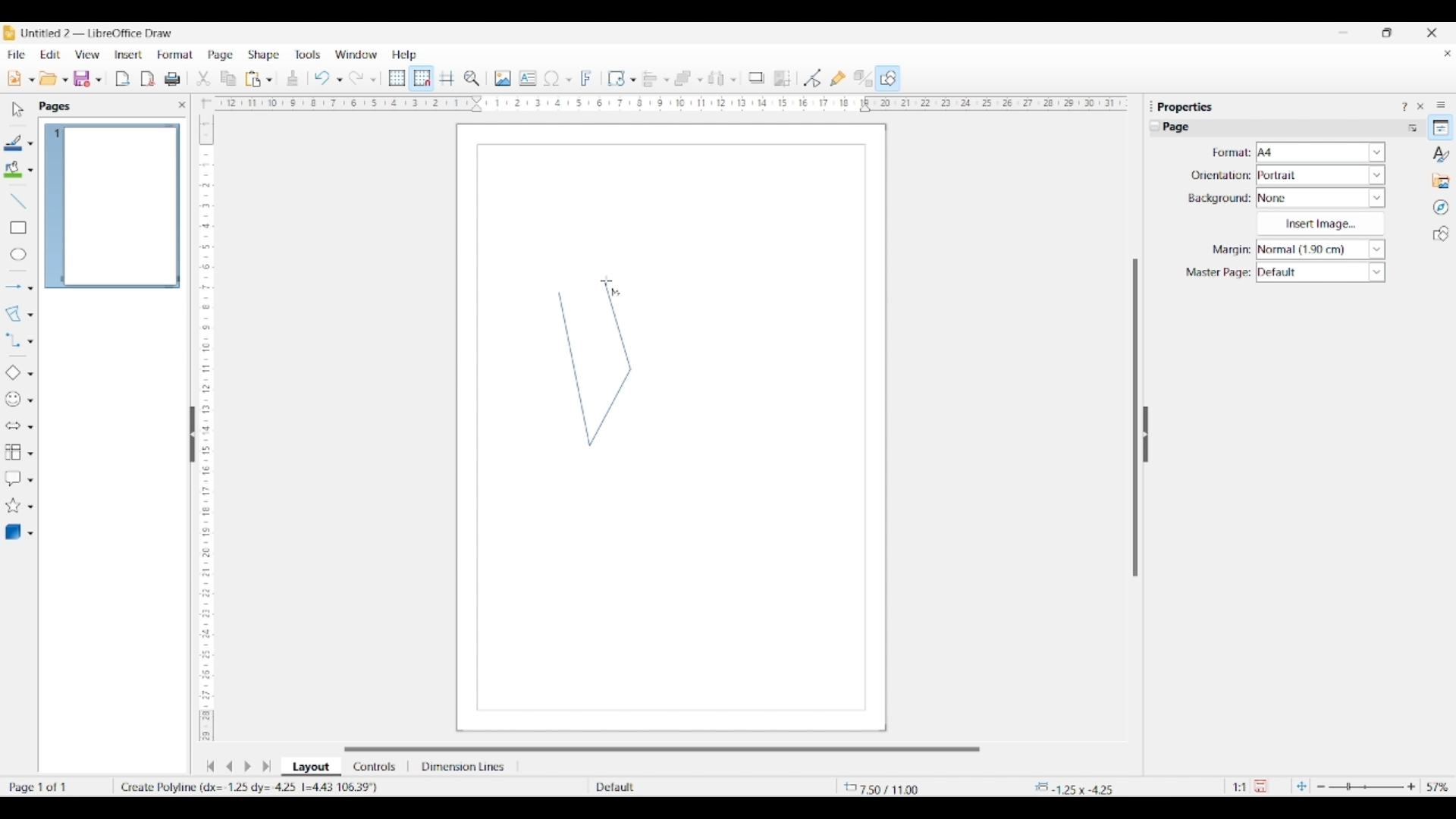 The width and height of the screenshot is (1456, 819). Describe the element at coordinates (733, 80) in the screenshot. I see `Select objects to distribute options` at that location.